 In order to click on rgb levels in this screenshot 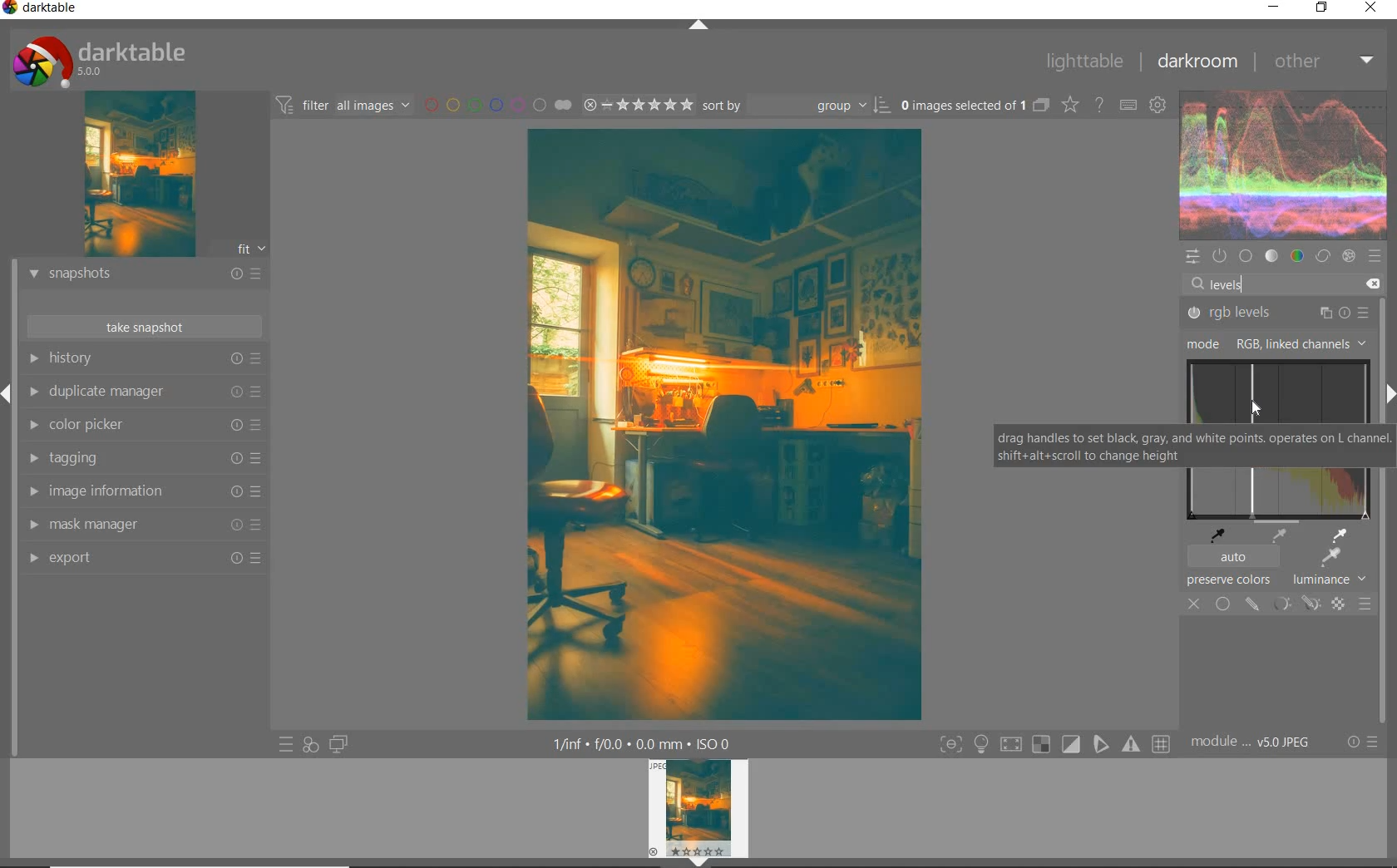, I will do `click(1276, 313)`.